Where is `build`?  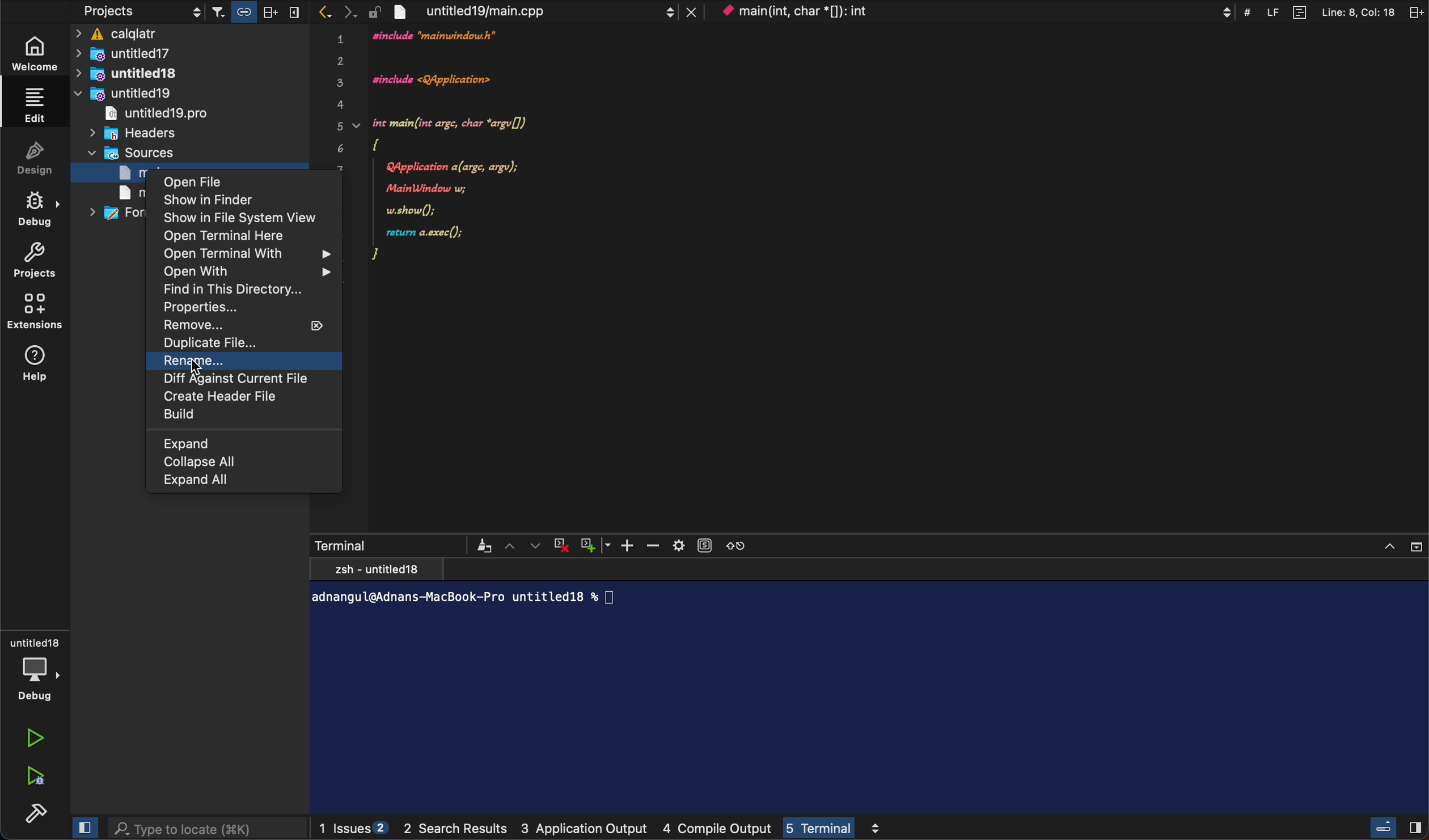
build is located at coordinates (236, 417).